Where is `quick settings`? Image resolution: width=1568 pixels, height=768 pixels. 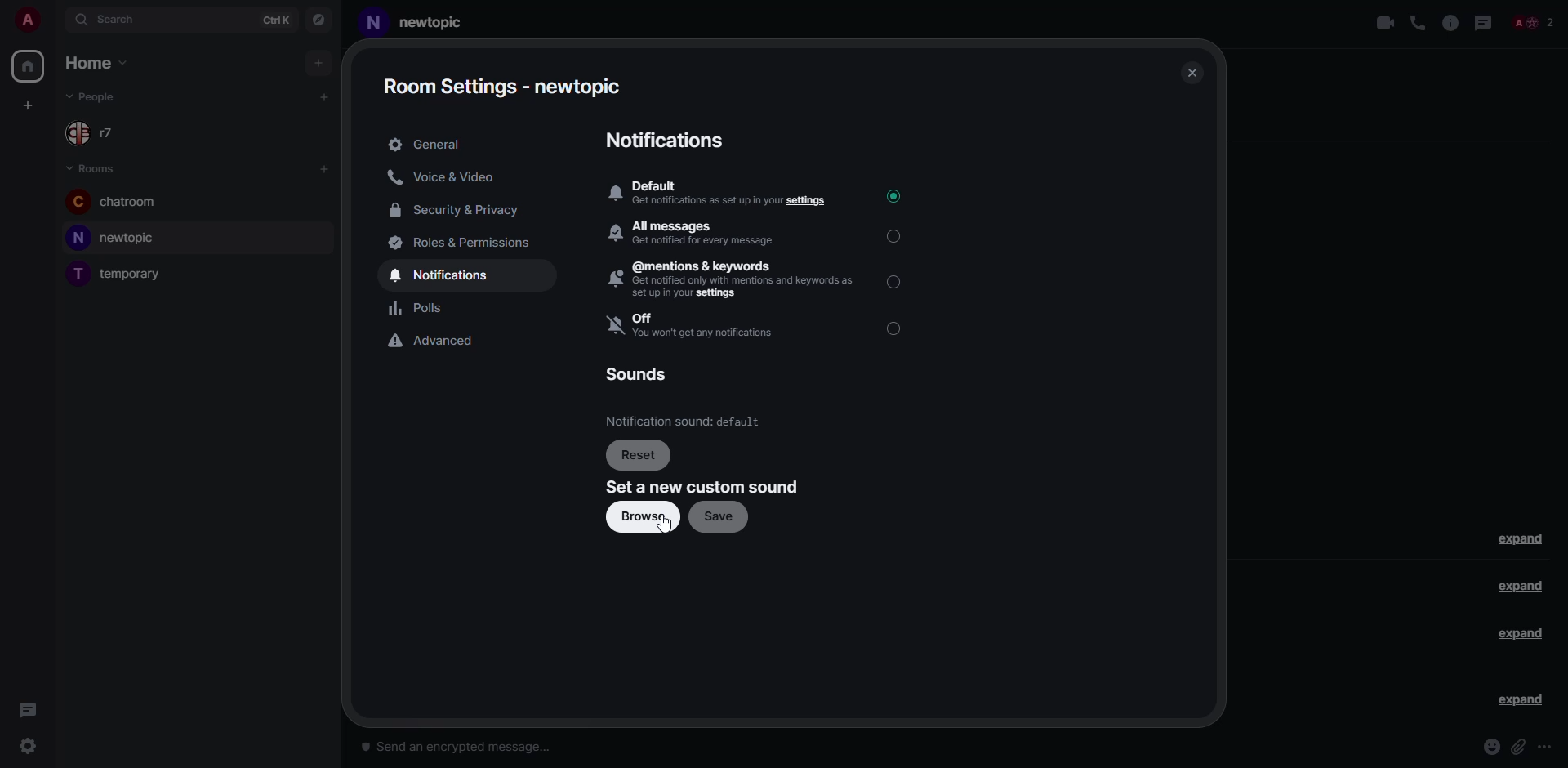
quick settings is located at coordinates (27, 747).